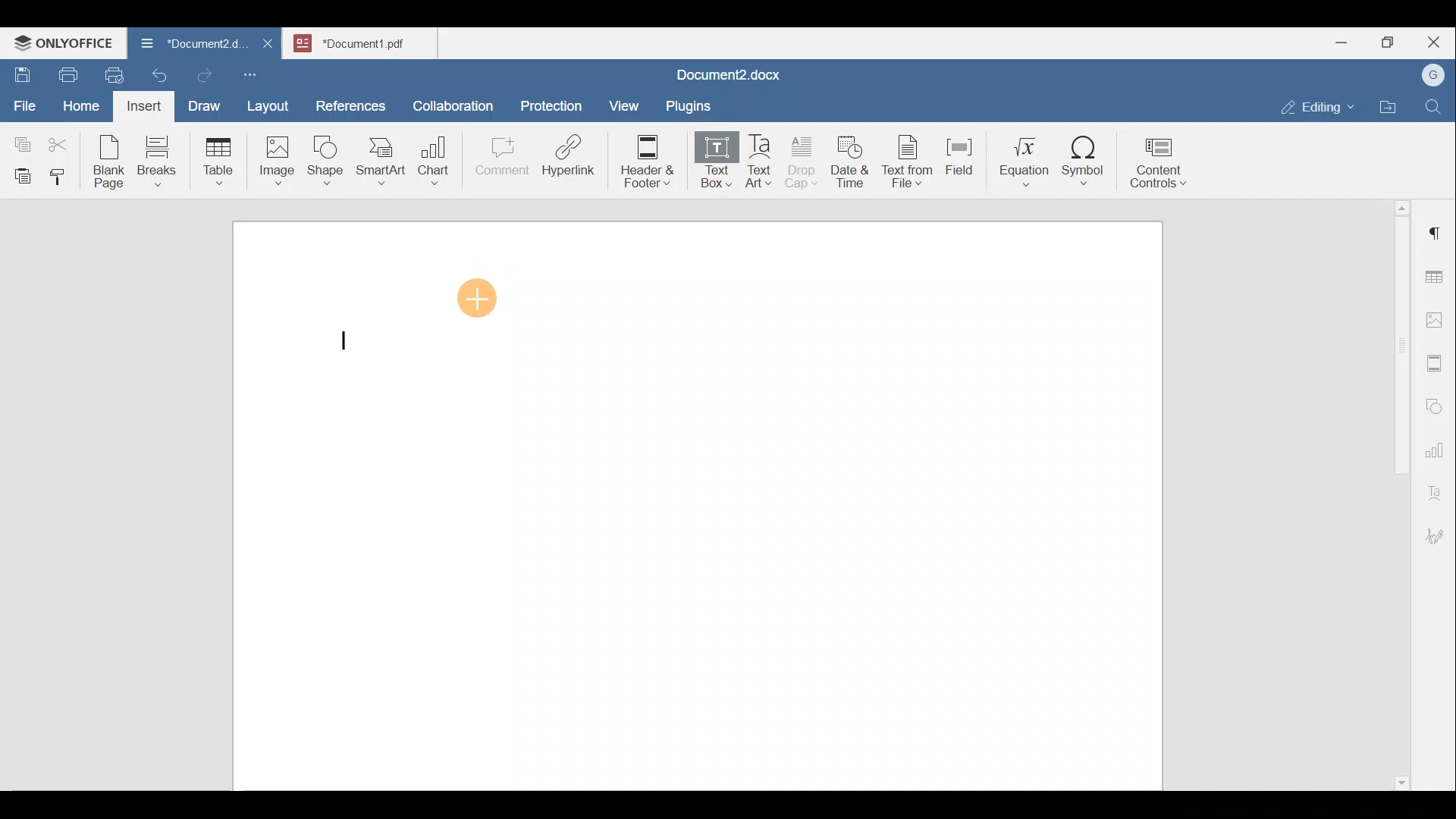 Image resolution: width=1456 pixels, height=819 pixels. I want to click on Close document, so click(268, 42).